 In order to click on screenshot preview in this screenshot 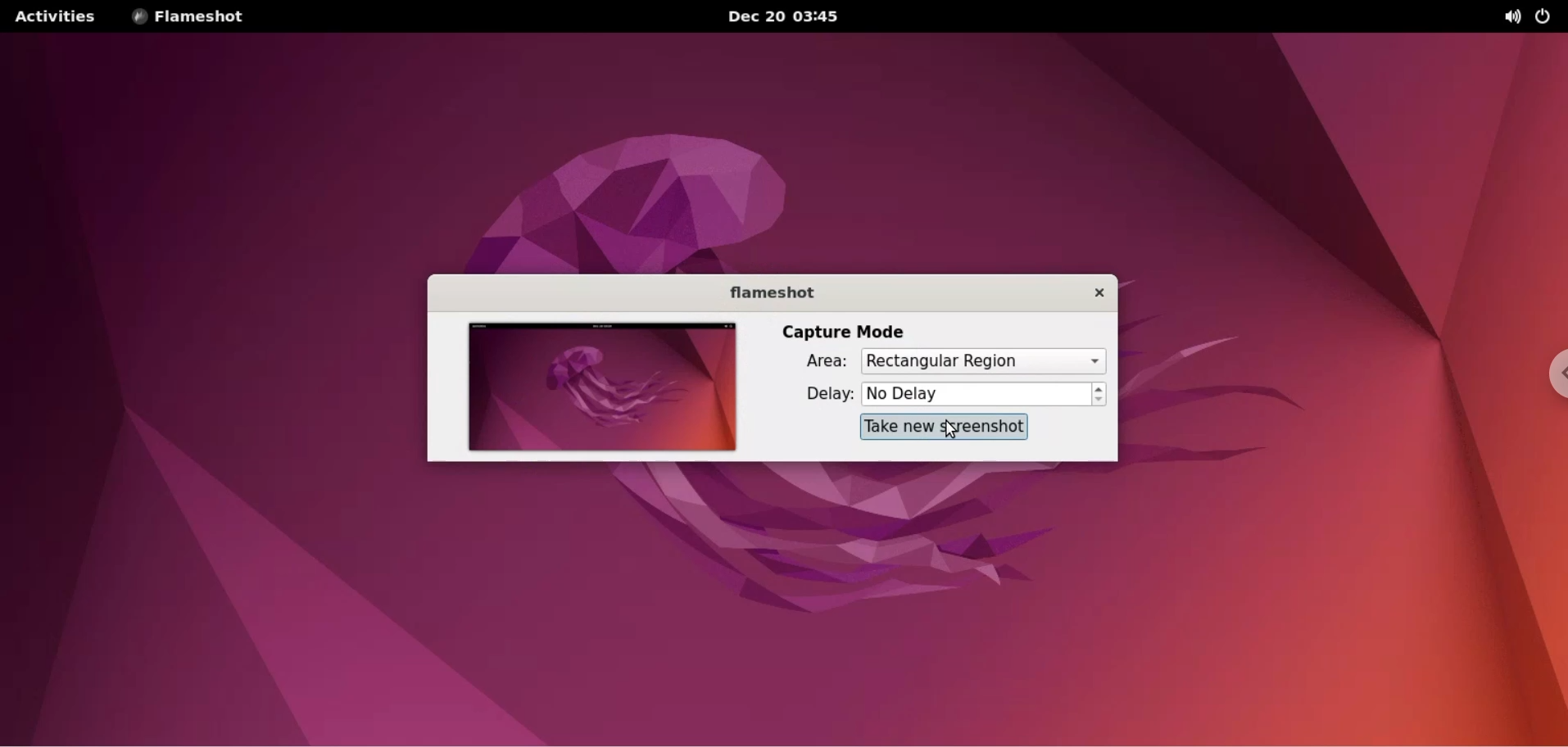, I will do `click(603, 391)`.